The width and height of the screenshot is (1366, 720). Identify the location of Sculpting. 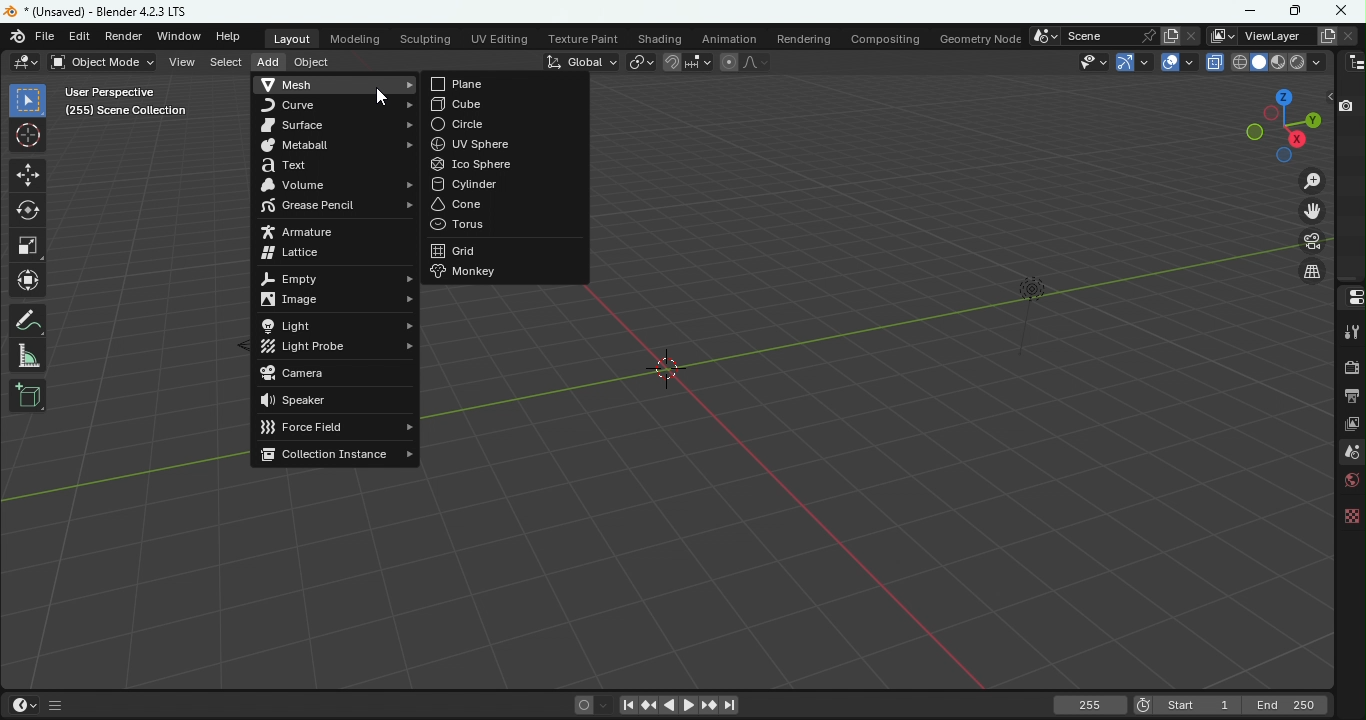
(426, 37).